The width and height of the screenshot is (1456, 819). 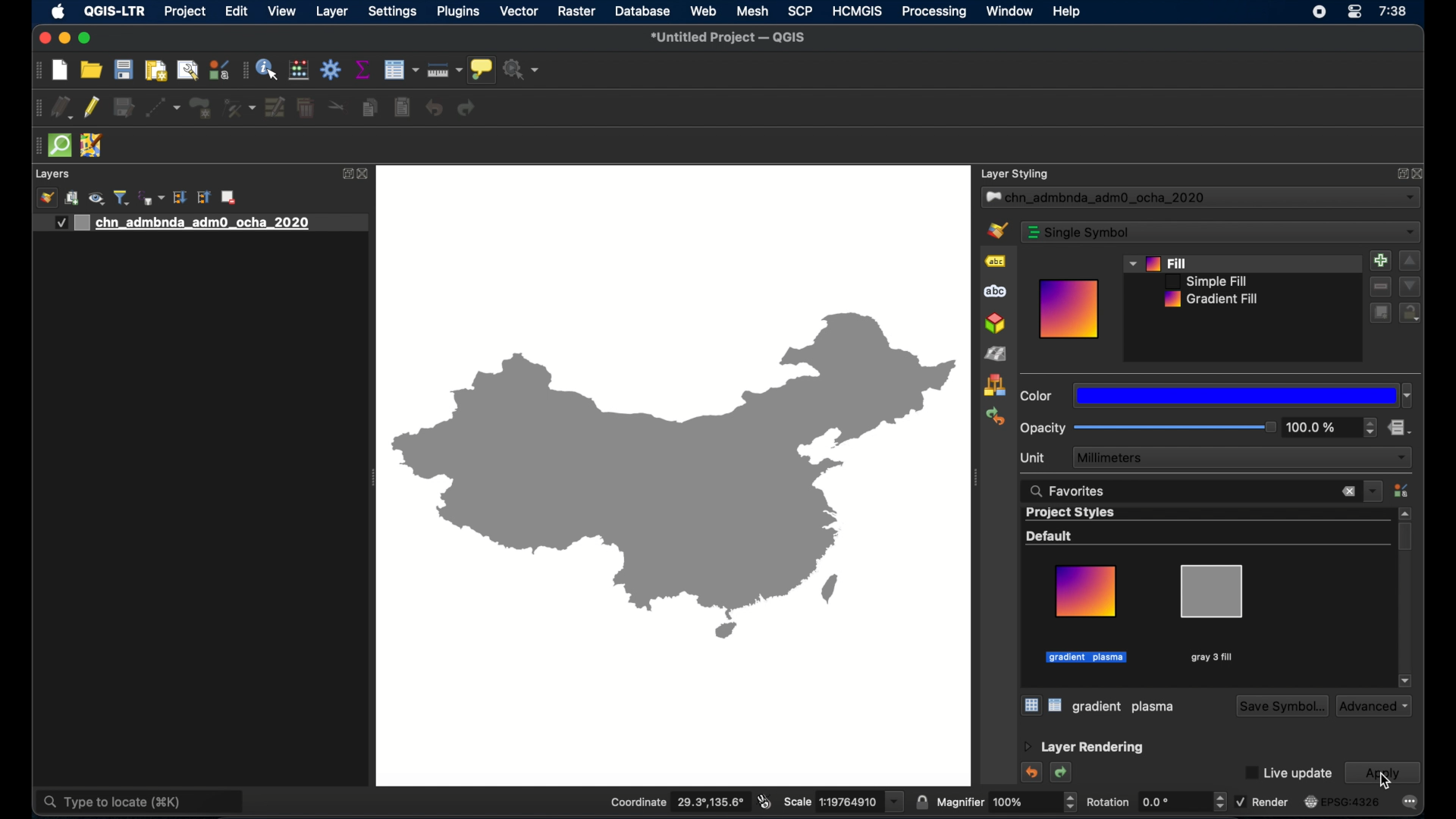 I want to click on increment, so click(x=1410, y=261).